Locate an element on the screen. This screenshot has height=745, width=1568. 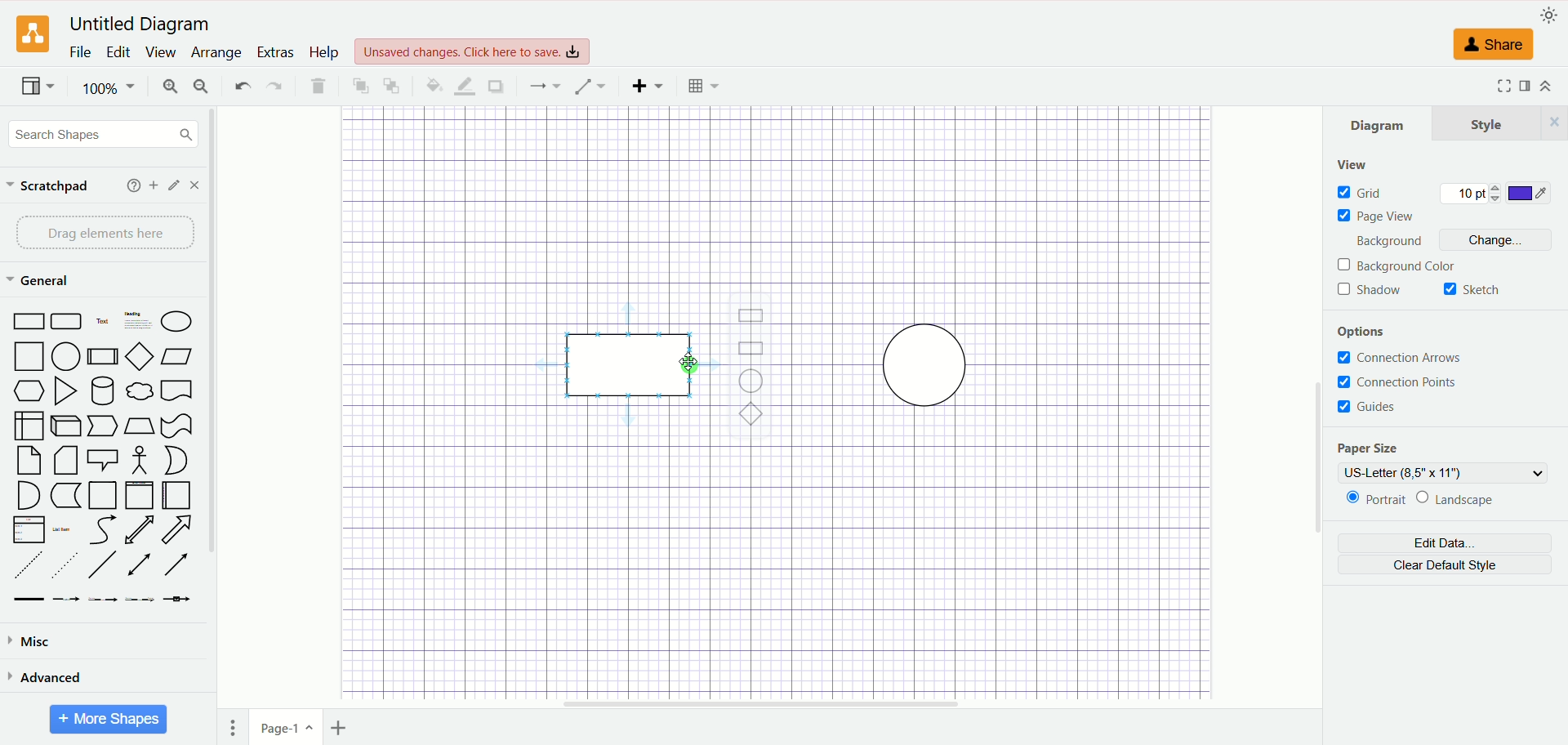
help is located at coordinates (131, 185).